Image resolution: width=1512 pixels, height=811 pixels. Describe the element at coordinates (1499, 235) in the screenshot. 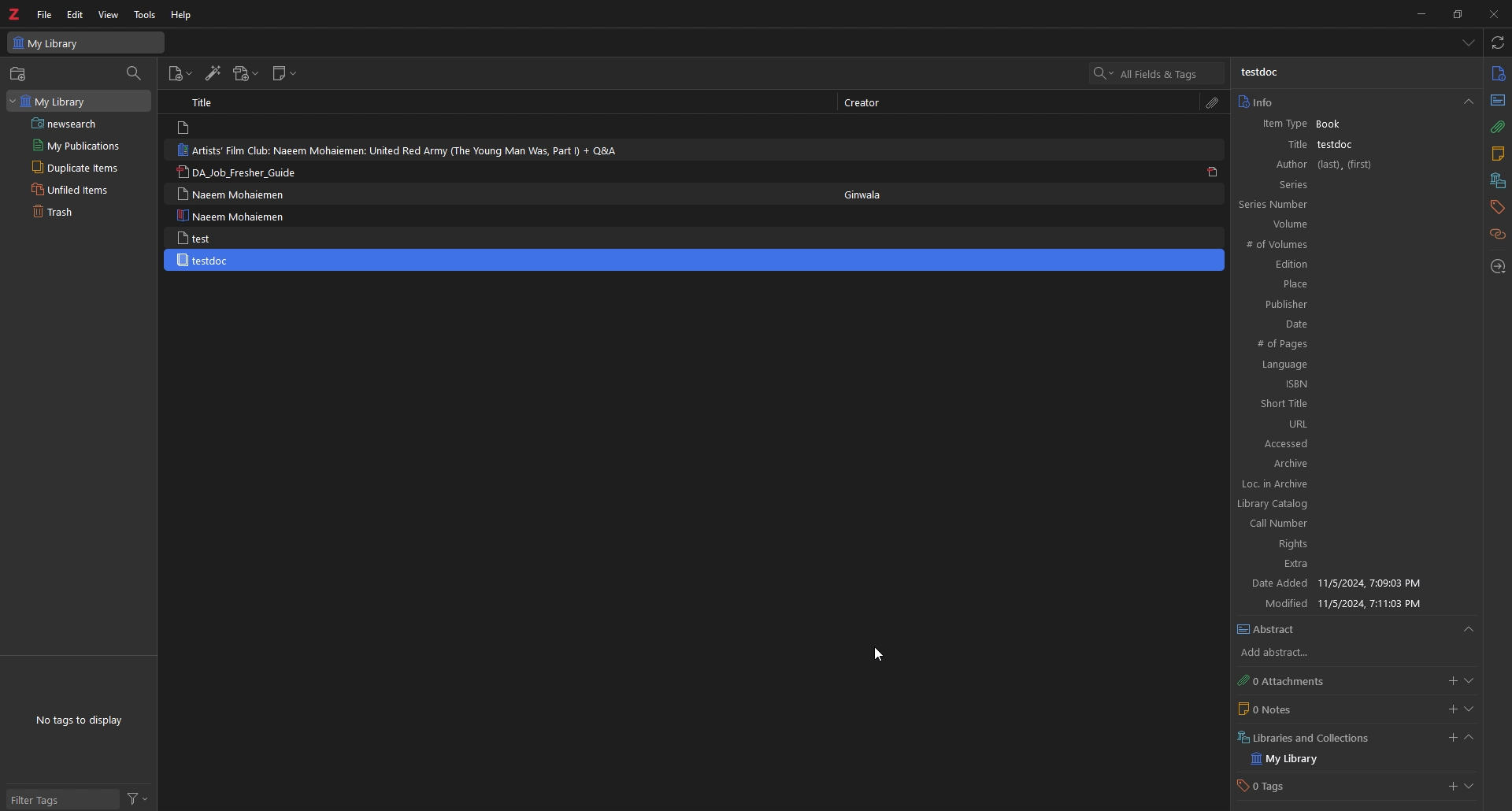

I see `related` at that location.